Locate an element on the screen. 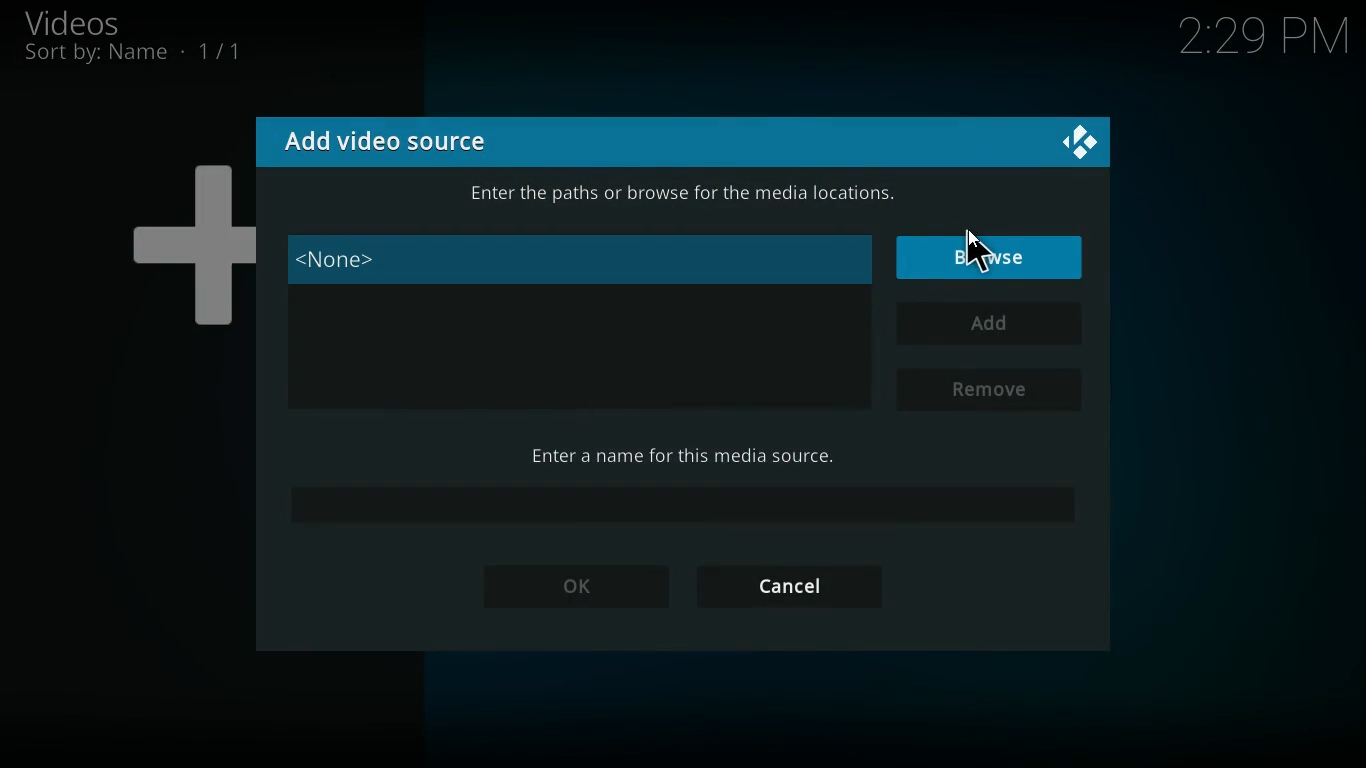 This screenshot has width=1366, height=768. Enter a name for this media source. is located at coordinates (687, 455).